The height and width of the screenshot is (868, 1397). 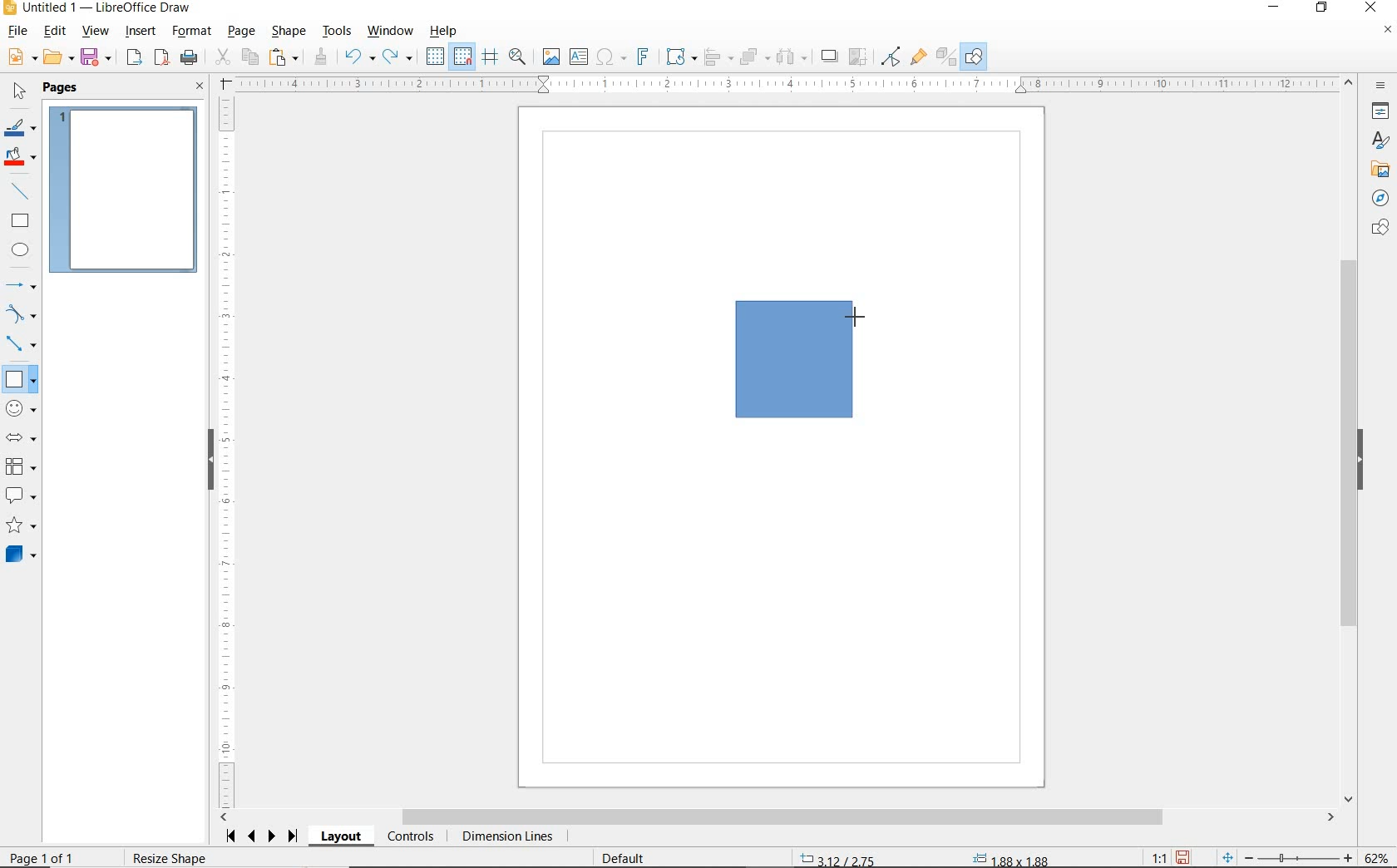 What do you see at coordinates (391, 32) in the screenshot?
I see `WINDOW` at bounding box center [391, 32].